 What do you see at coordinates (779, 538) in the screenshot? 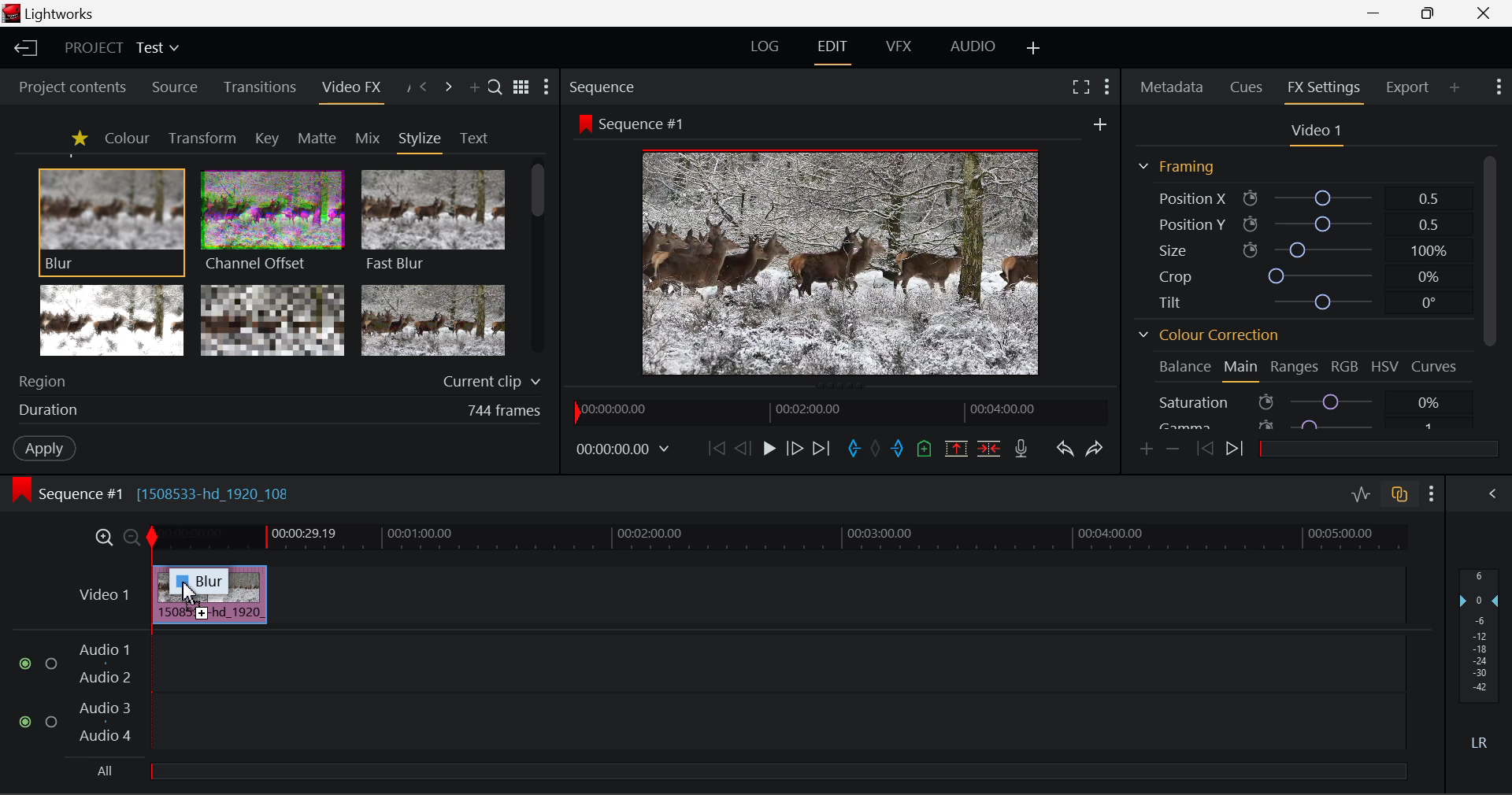
I see `Project Timeline` at bounding box center [779, 538].